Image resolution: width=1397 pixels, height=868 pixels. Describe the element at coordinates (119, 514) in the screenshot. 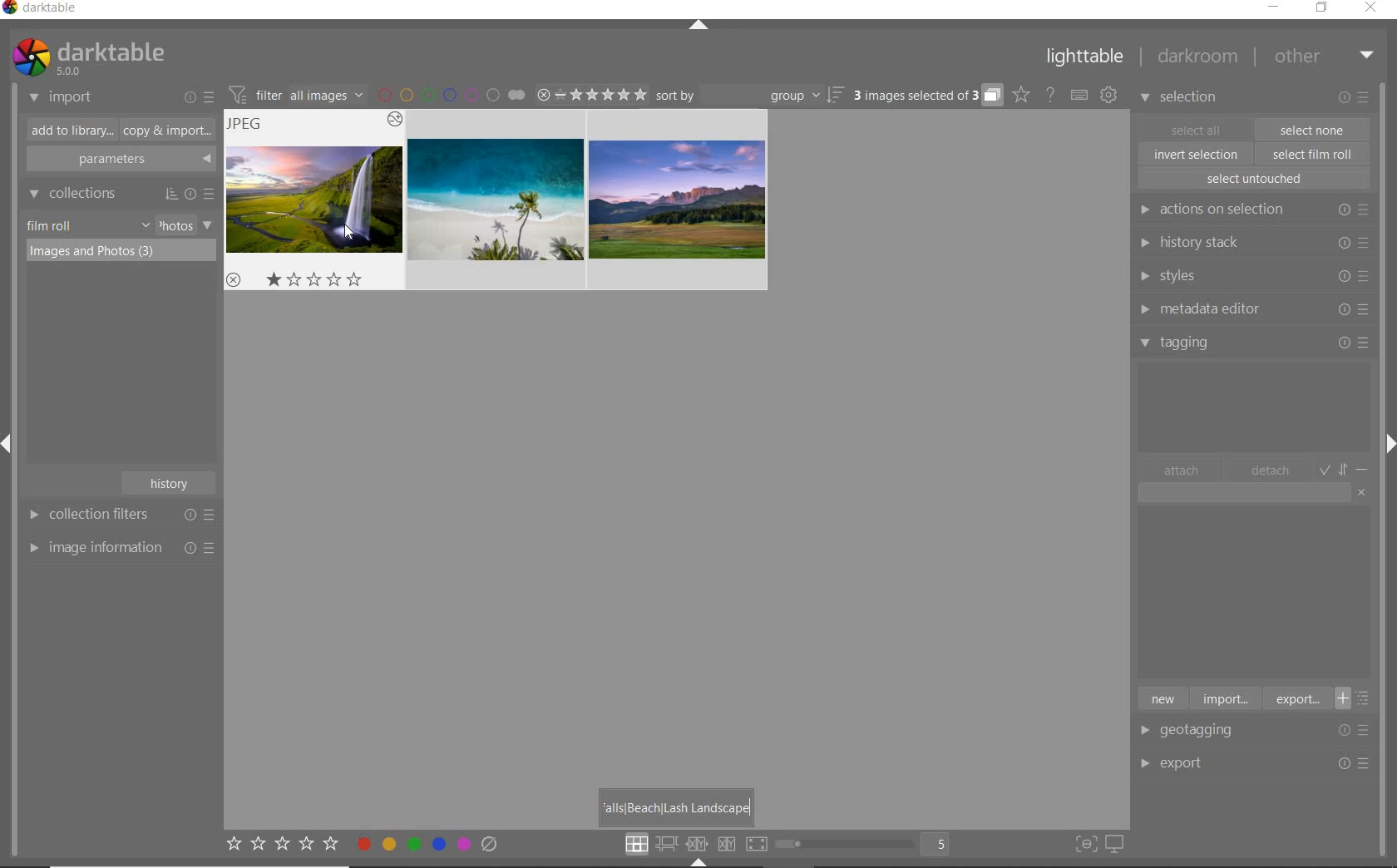

I see `collection filters` at that location.